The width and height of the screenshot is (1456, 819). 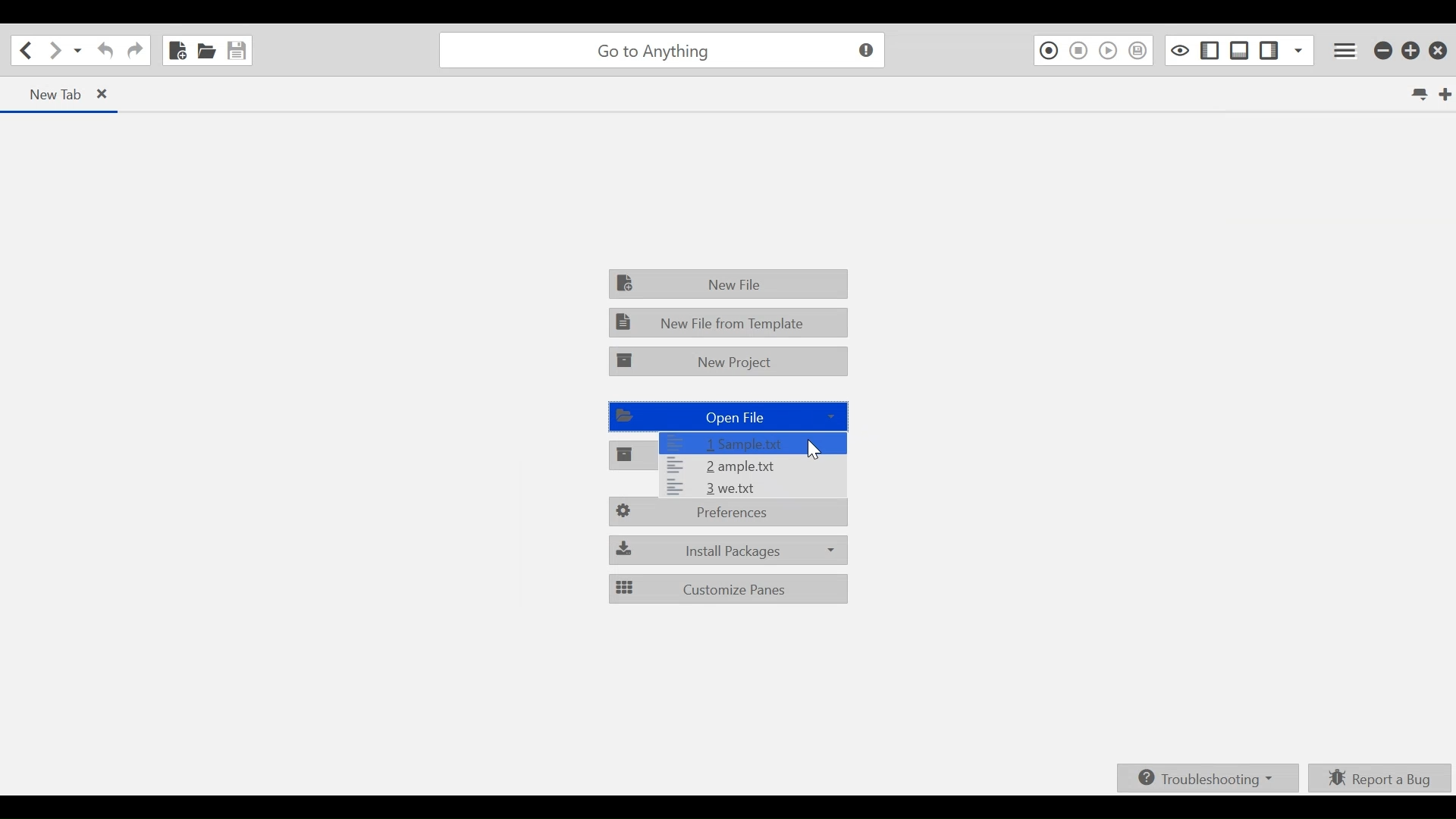 What do you see at coordinates (60, 93) in the screenshot?
I see `Current Tab` at bounding box center [60, 93].